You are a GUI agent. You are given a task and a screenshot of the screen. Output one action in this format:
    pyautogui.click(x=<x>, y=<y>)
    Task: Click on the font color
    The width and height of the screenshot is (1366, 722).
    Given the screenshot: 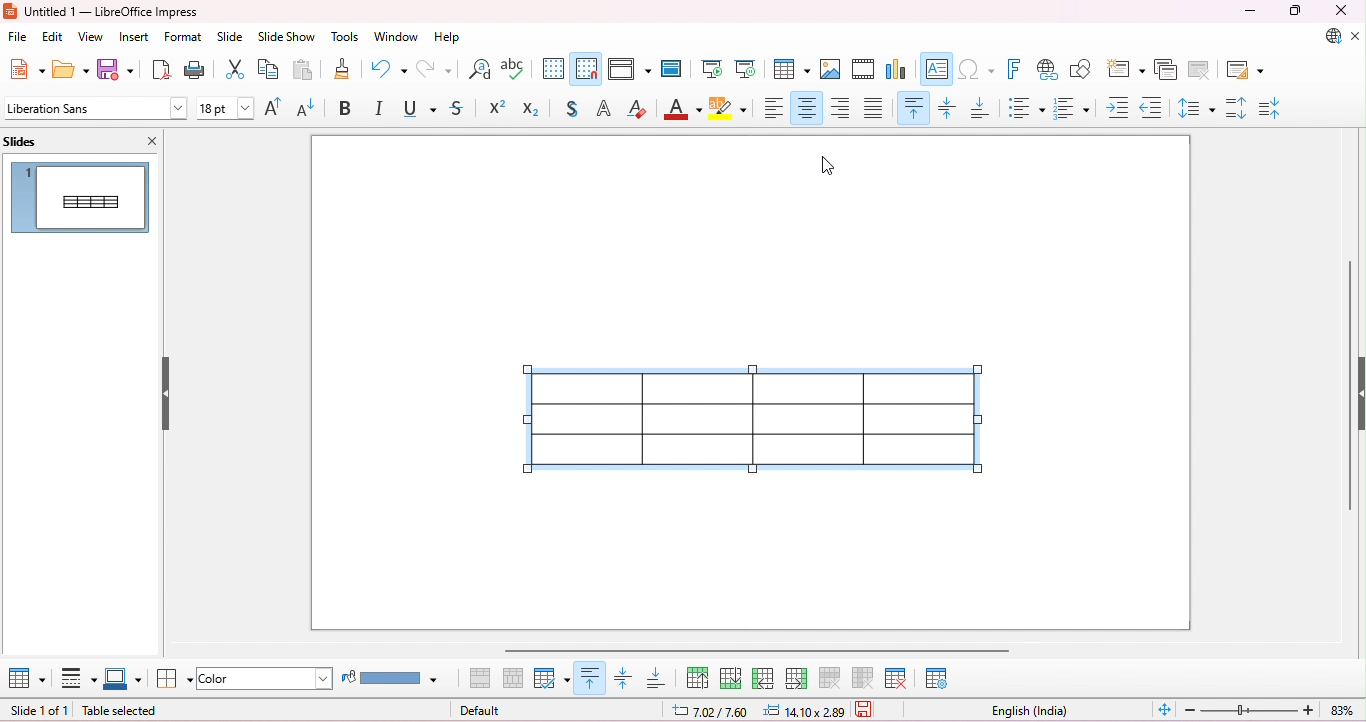 What is the action you would take?
    pyautogui.click(x=684, y=108)
    